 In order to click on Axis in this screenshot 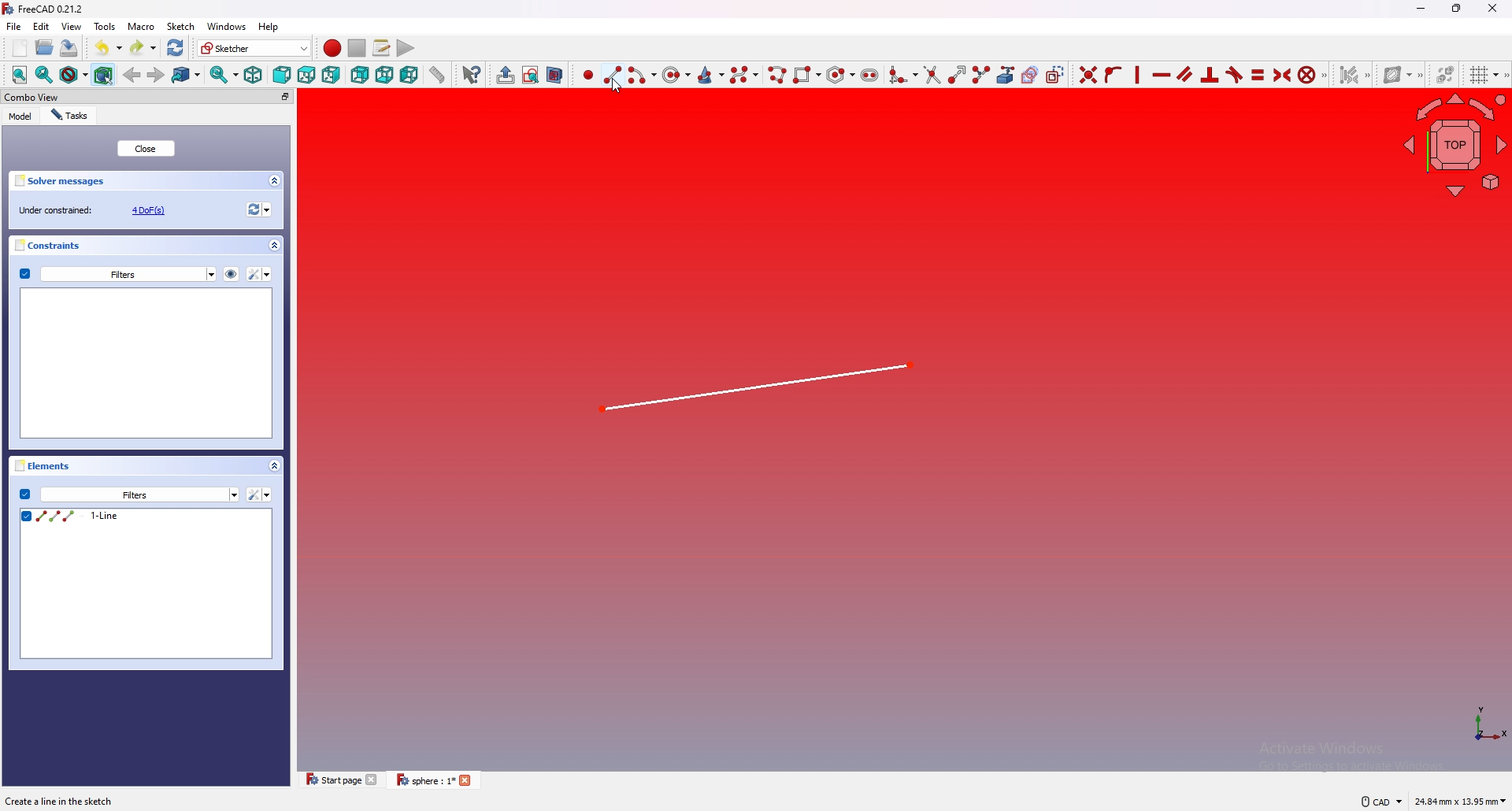, I will do `click(1480, 727)`.